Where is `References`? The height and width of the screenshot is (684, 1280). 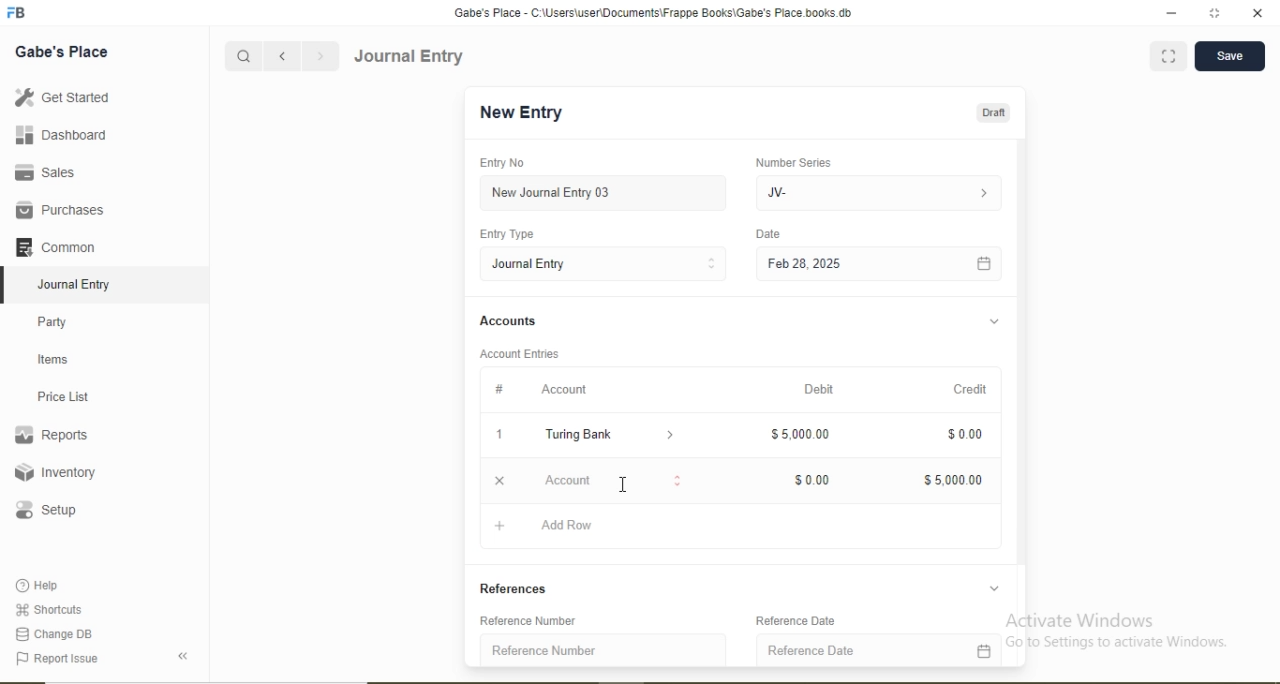
References is located at coordinates (513, 589).